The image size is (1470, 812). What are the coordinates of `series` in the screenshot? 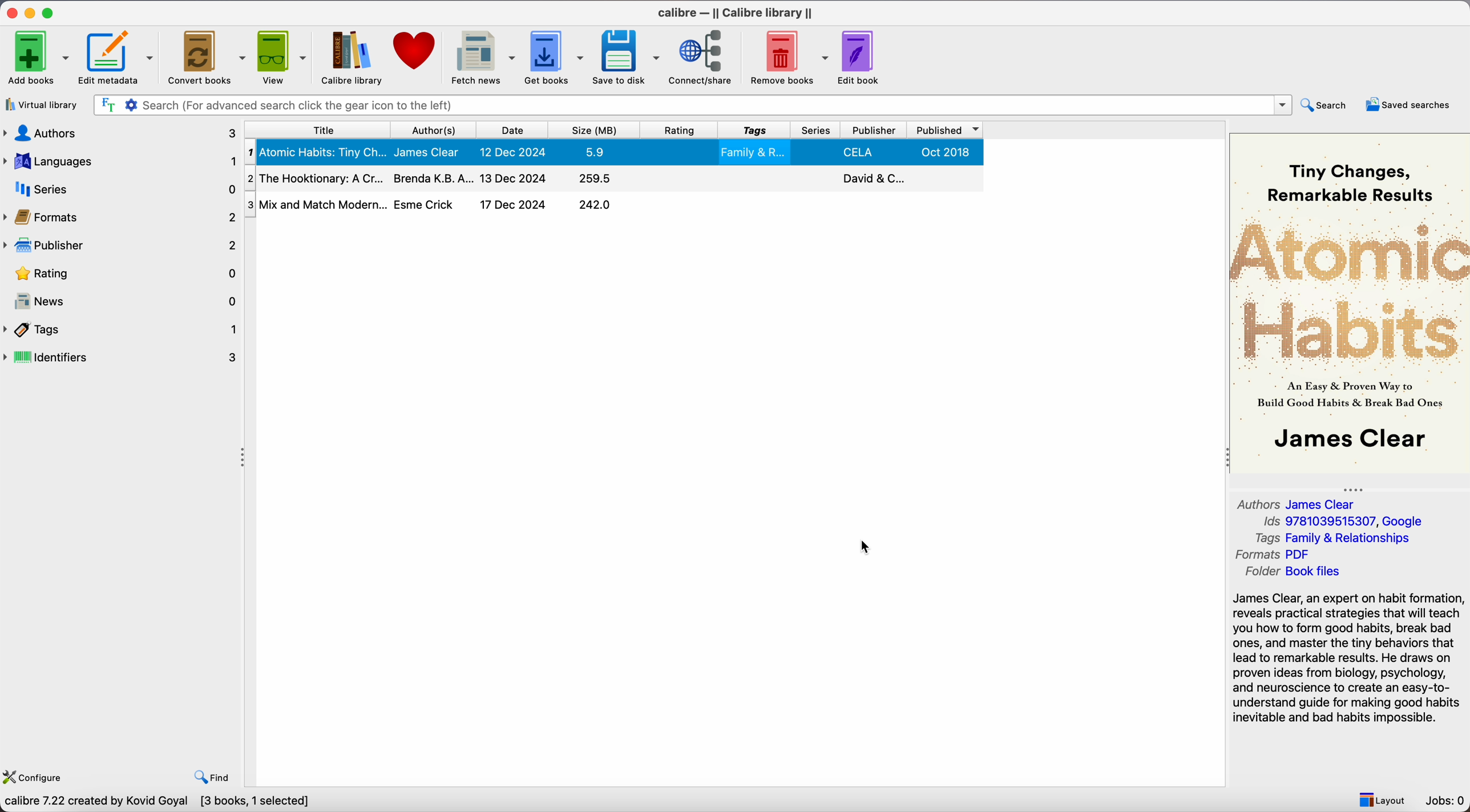 It's located at (817, 130).